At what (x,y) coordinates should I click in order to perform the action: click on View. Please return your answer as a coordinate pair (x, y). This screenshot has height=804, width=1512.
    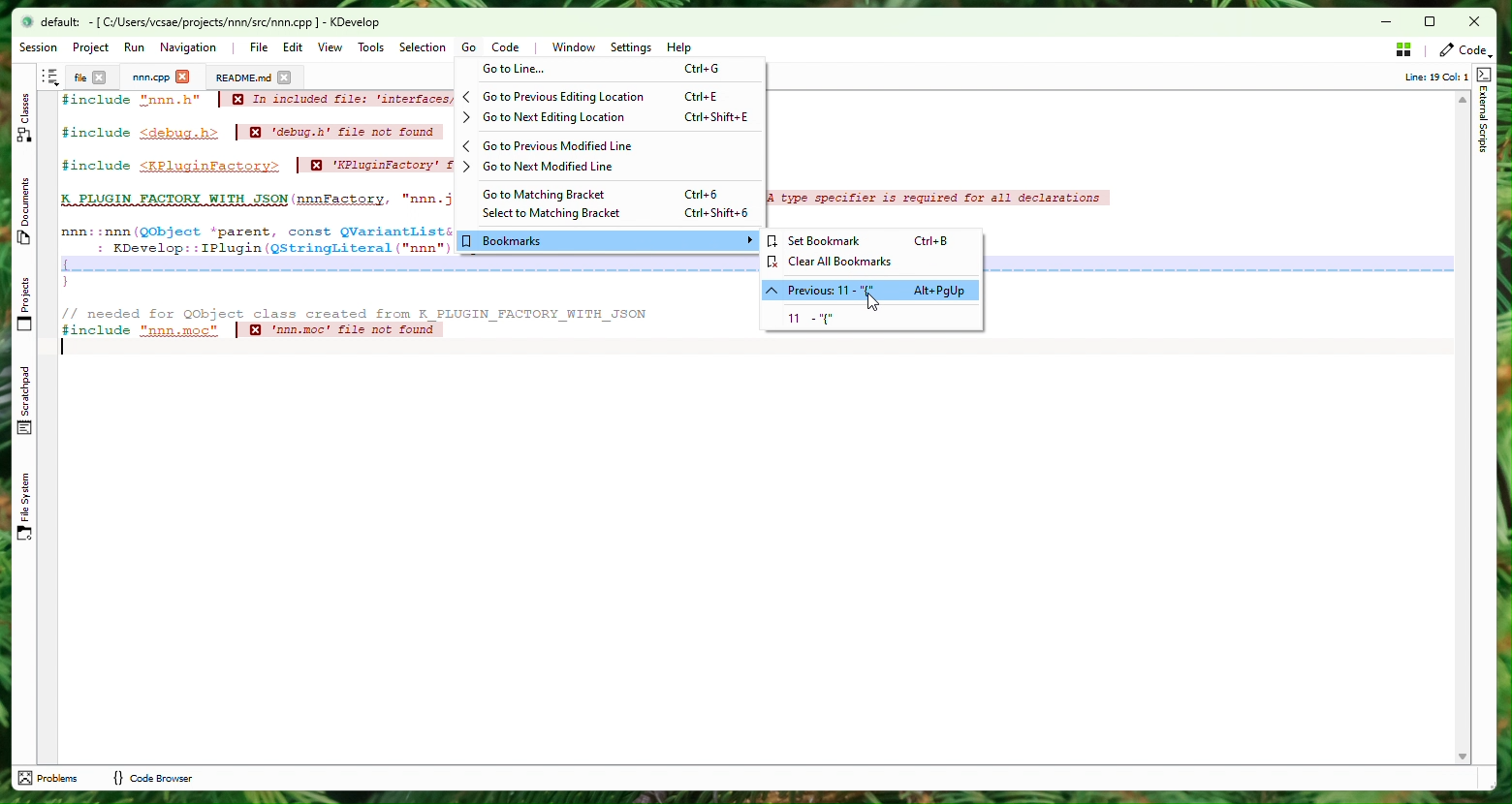
    Looking at the image, I should click on (331, 47).